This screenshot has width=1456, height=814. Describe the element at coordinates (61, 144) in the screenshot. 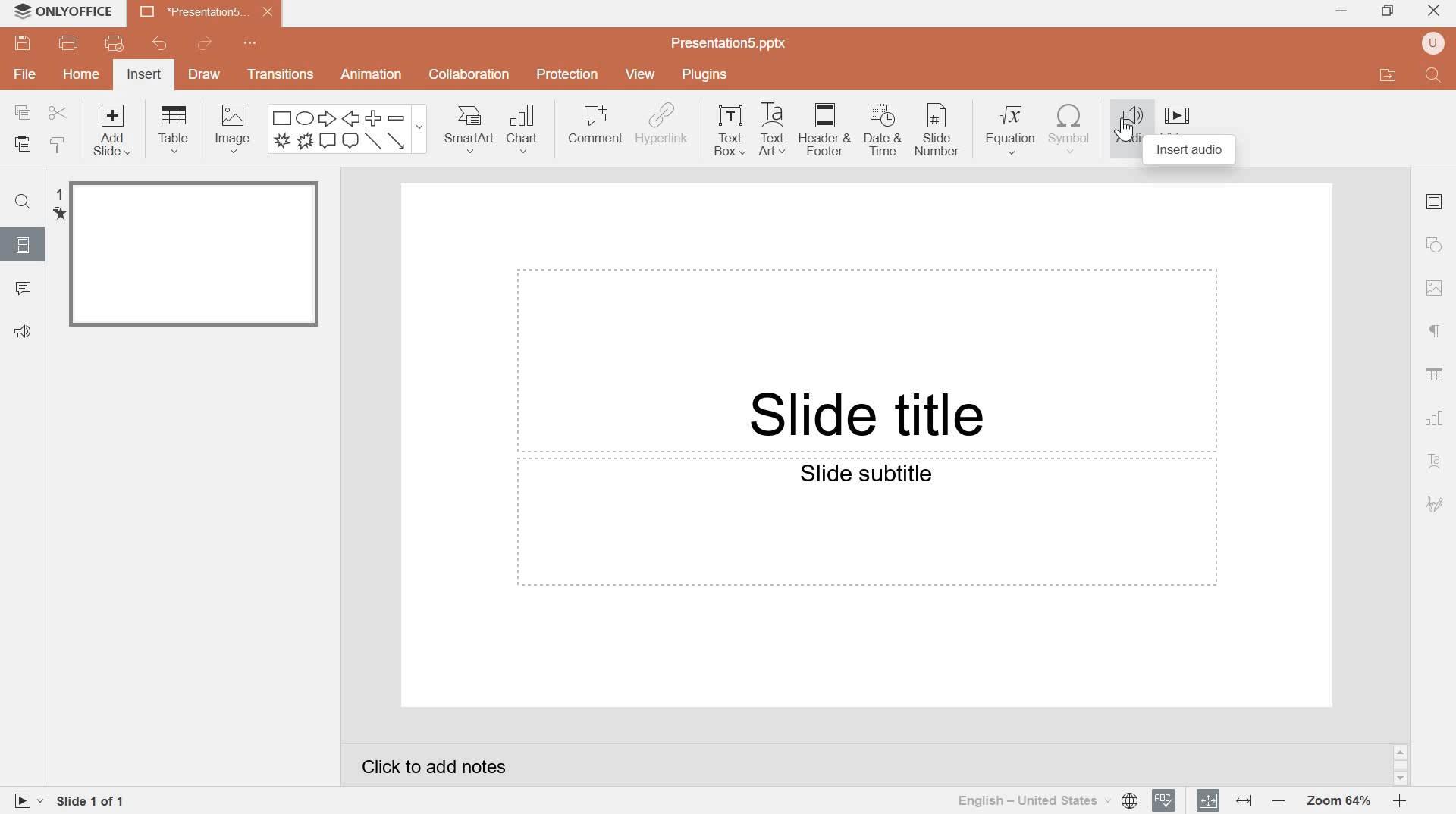

I see `copy style` at that location.